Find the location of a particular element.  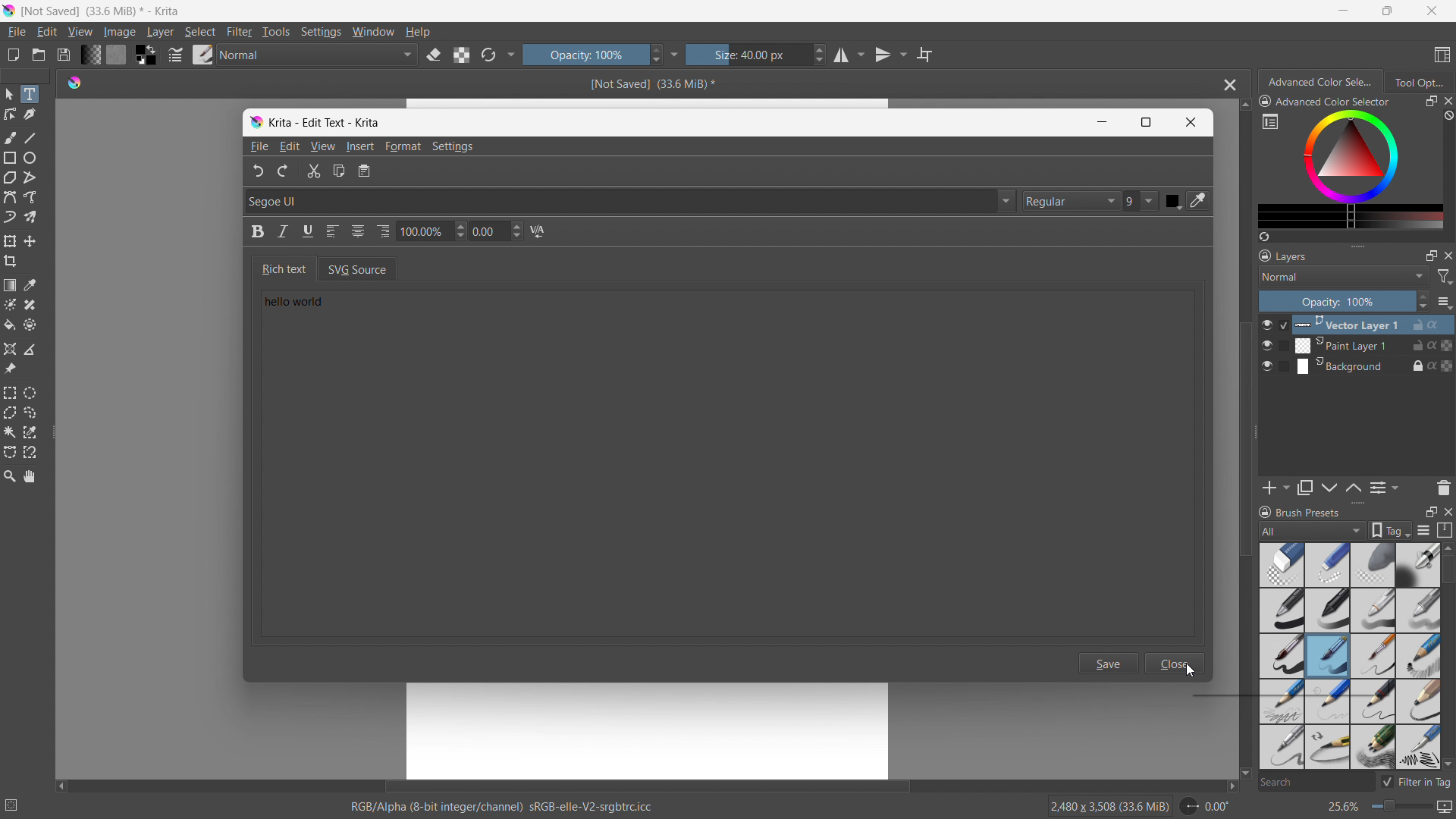

edit shapes tool is located at coordinates (11, 114).